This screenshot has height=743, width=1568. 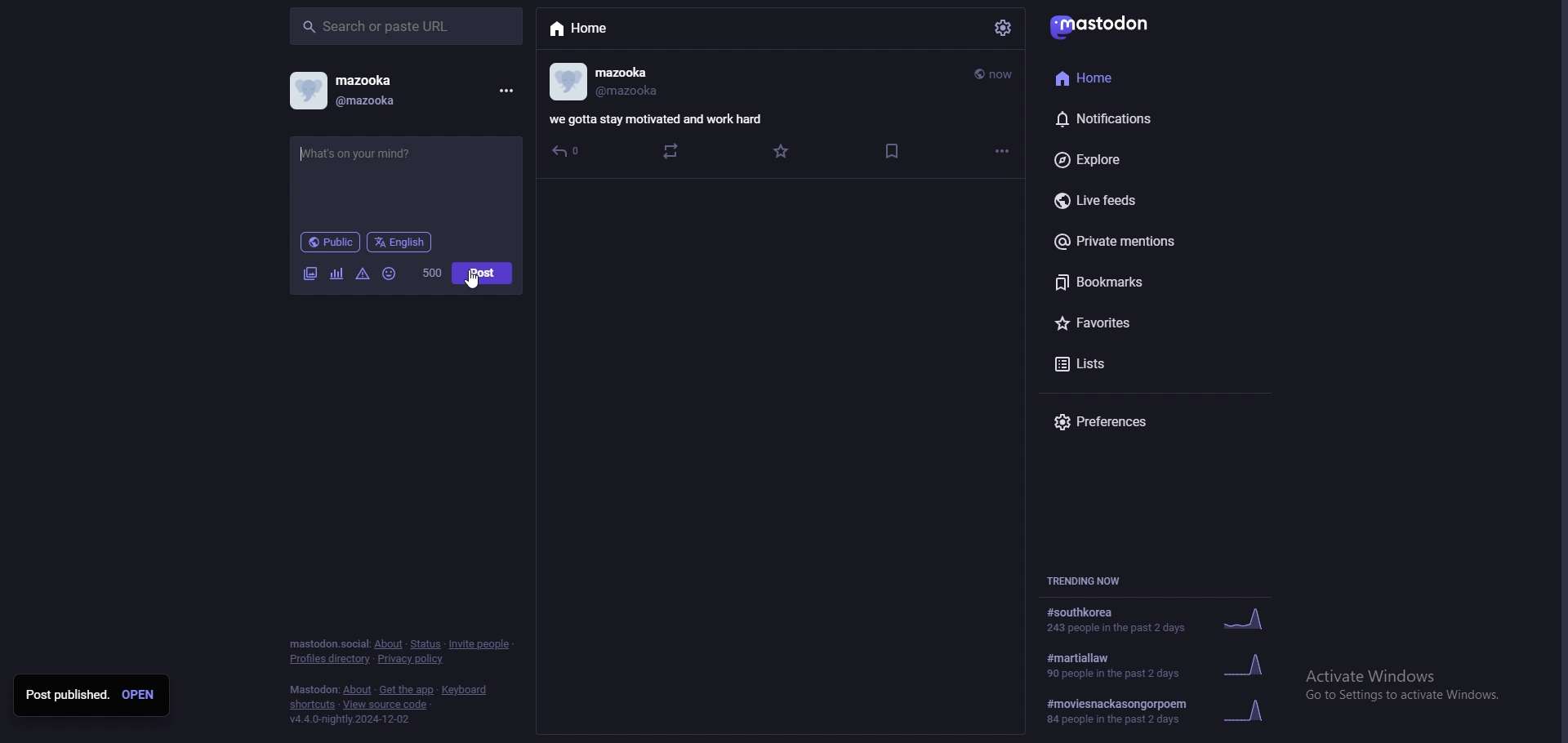 What do you see at coordinates (659, 118) in the screenshot?
I see `motivational status` at bounding box center [659, 118].